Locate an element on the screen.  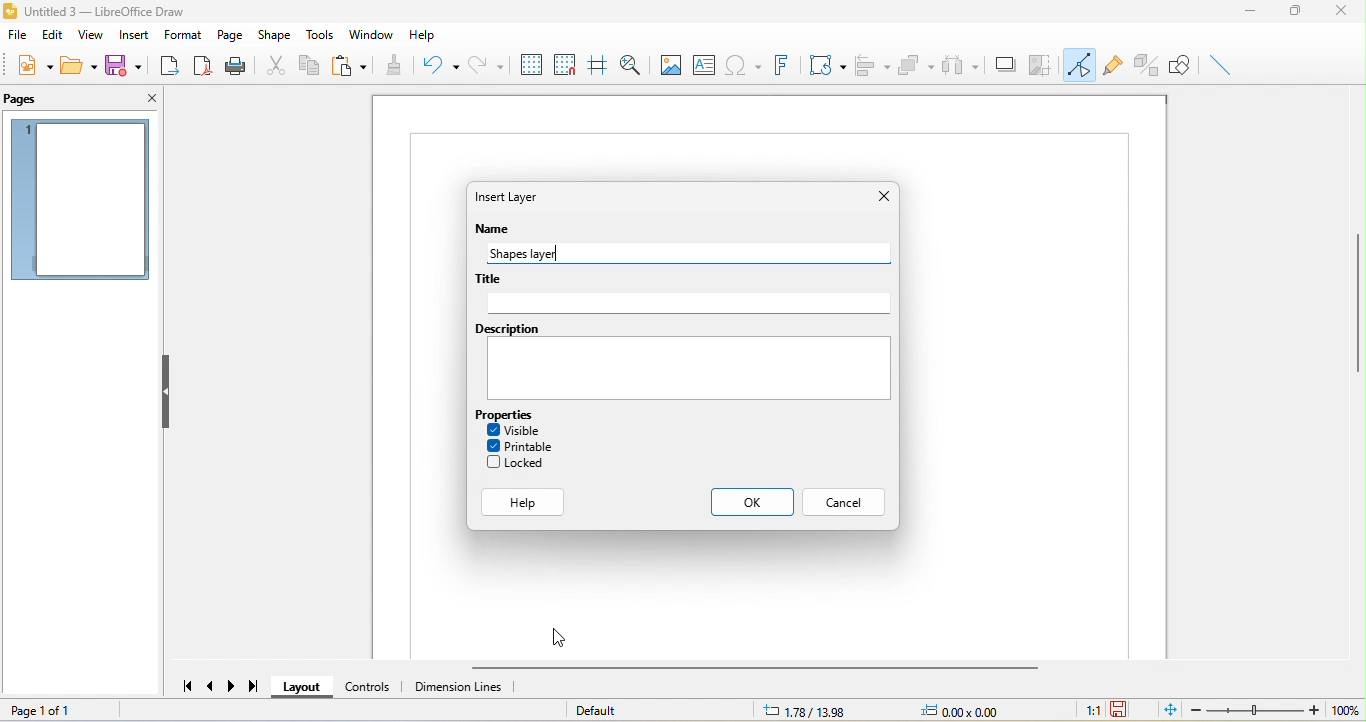
close is located at coordinates (882, 197).